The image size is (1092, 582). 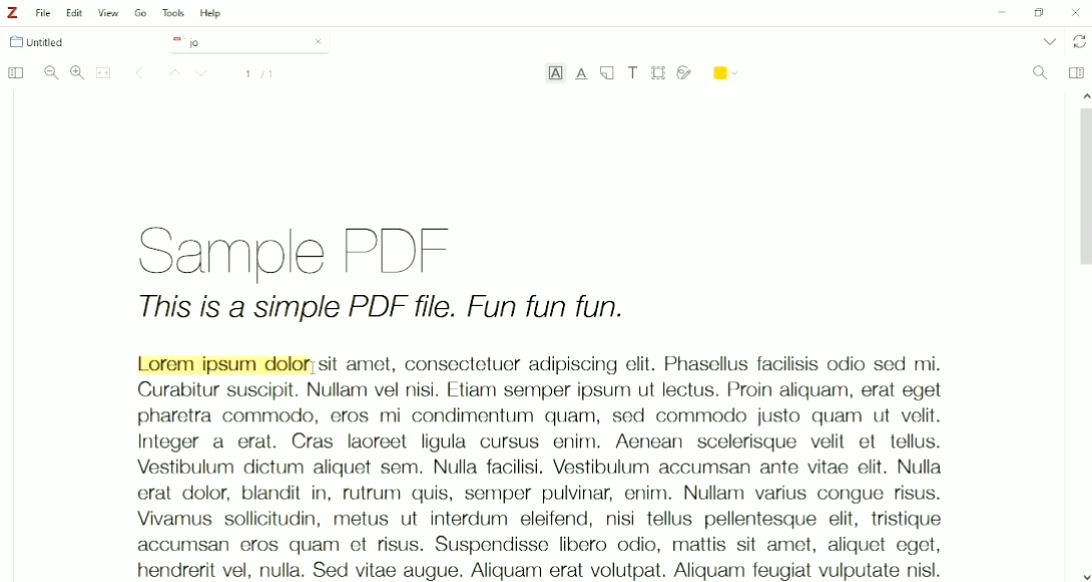 What do you see at coordinates (14, 74) in the screenshot?
I see `Toggle Sidebar` at bounding box center [14, 74].